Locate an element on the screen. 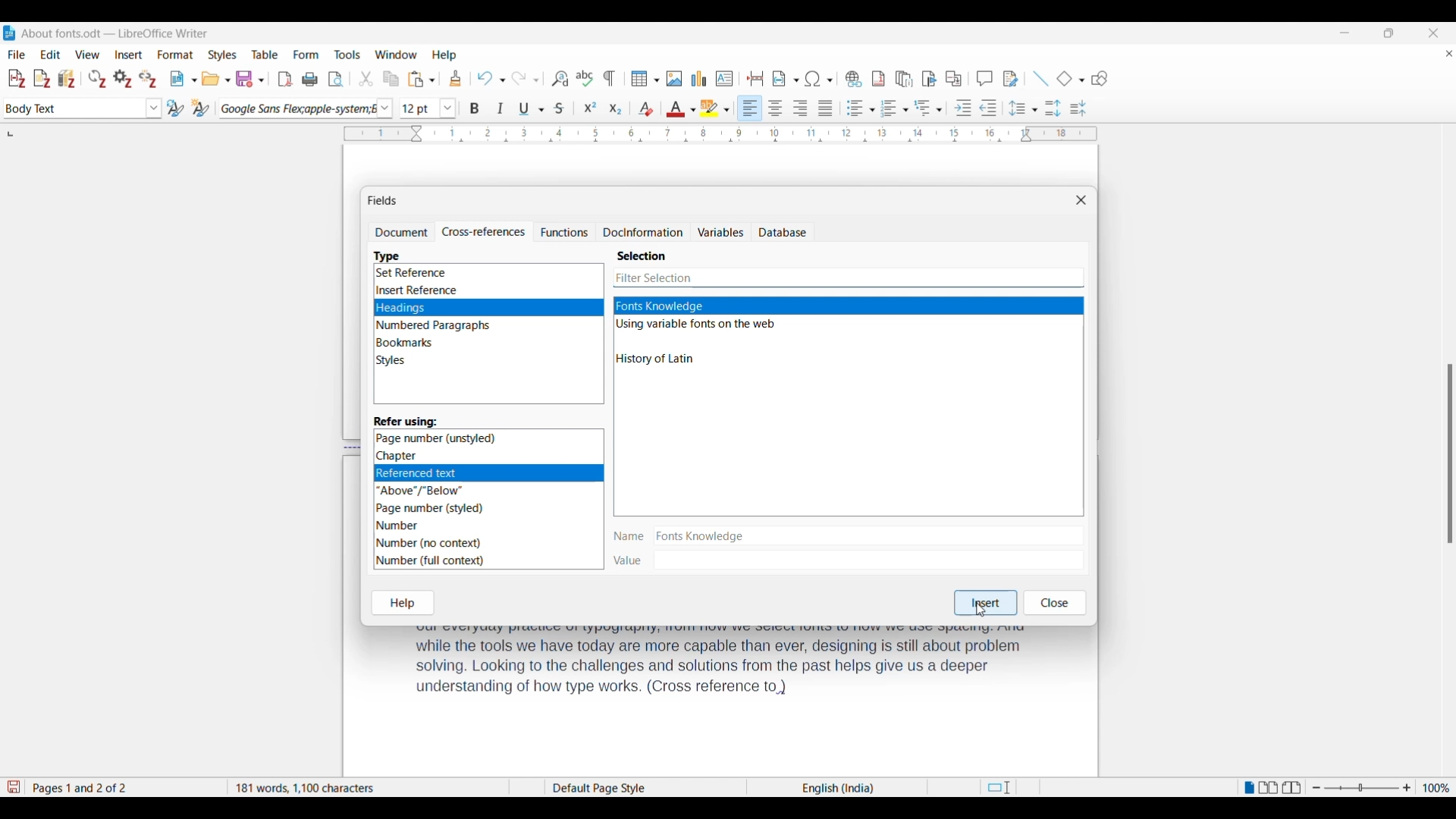 The height and width of the screenshot is (819, 1456). Italics is located at coordinates (501, 108).